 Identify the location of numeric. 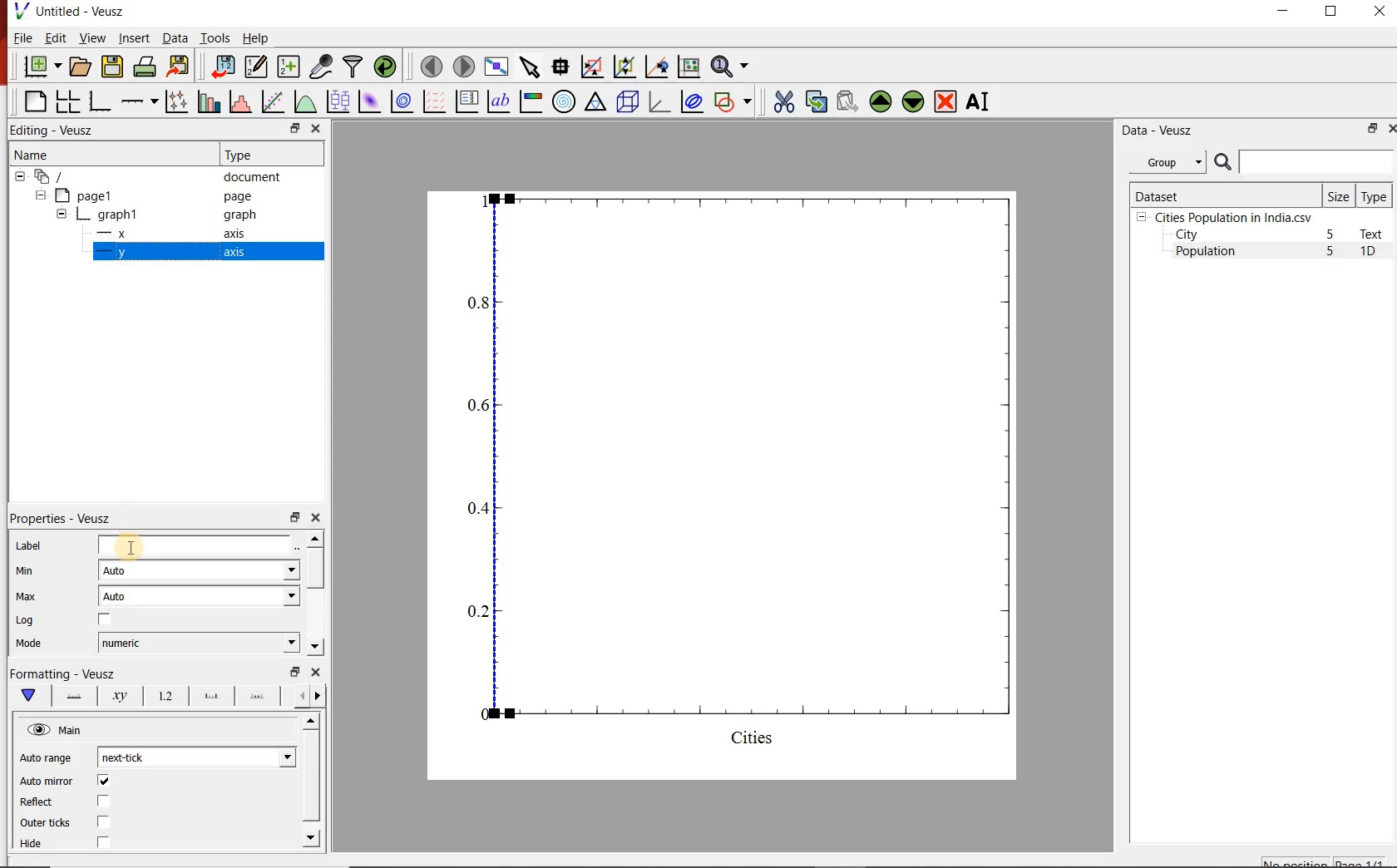
(198, 643).